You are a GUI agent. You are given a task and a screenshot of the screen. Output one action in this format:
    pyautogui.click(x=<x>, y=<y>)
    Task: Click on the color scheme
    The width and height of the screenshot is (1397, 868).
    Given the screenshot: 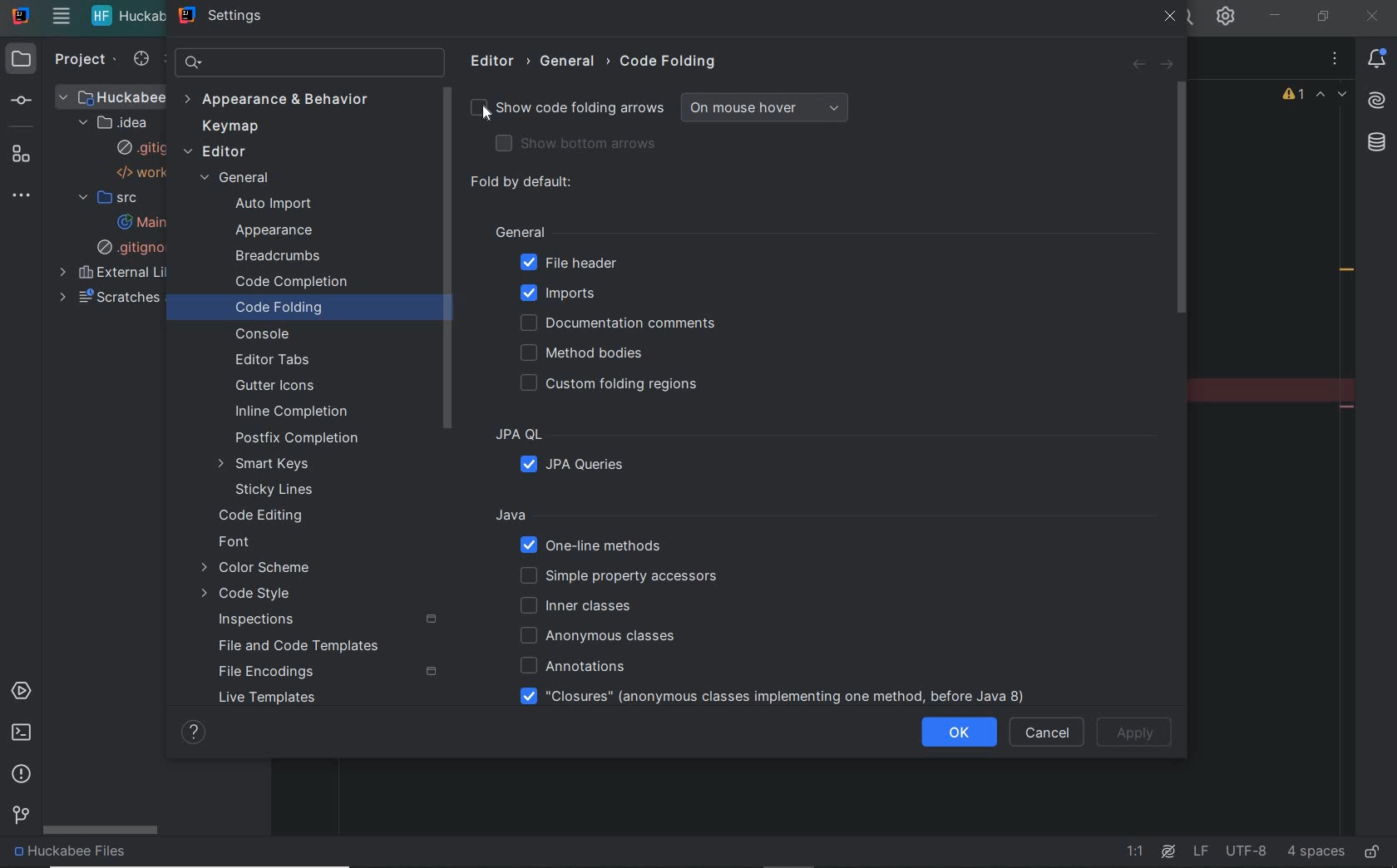 What is the action you would take?
    pyautogui.click(x=259, y=569)
    